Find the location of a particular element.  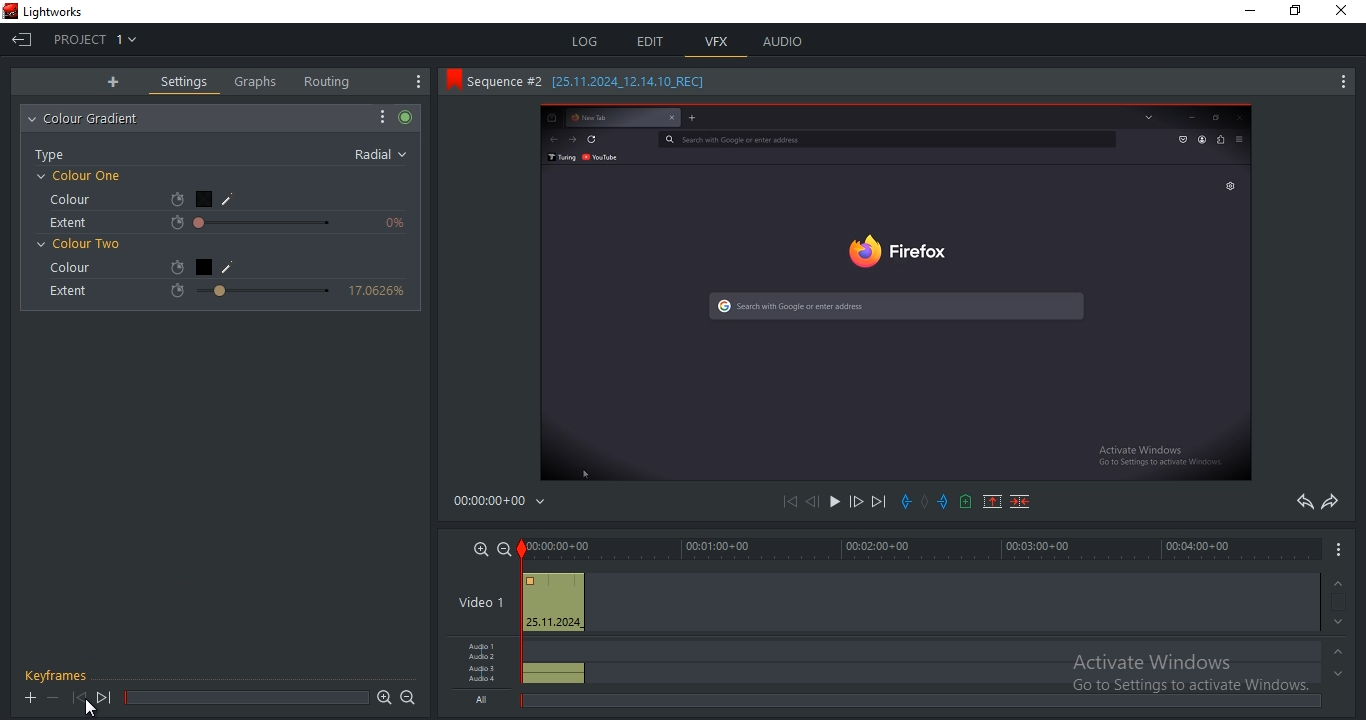

duration icon is located at coordinates (174, 224).